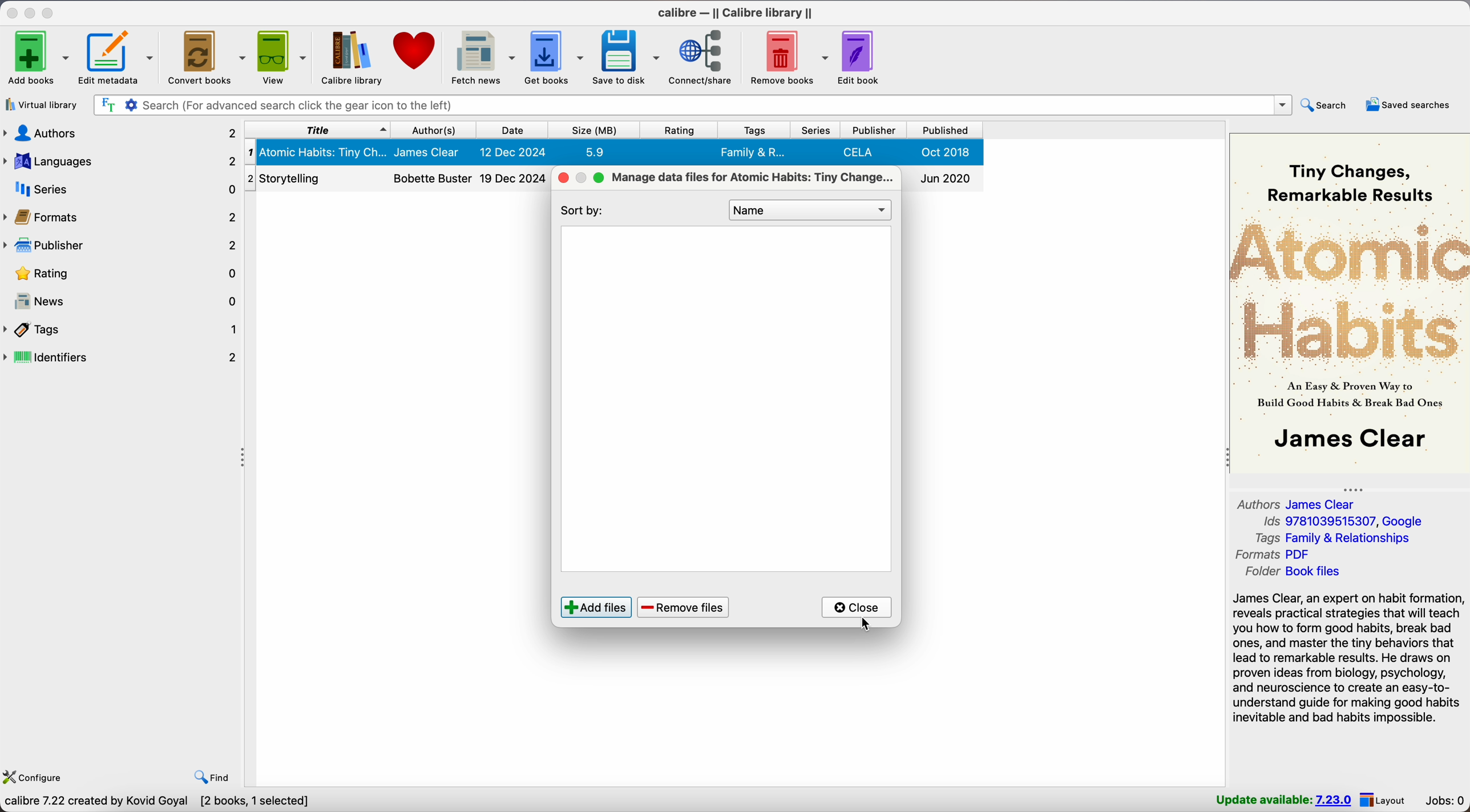 This screenshot has width=1470, height=812. I want to click on tags, so click(753, 130).